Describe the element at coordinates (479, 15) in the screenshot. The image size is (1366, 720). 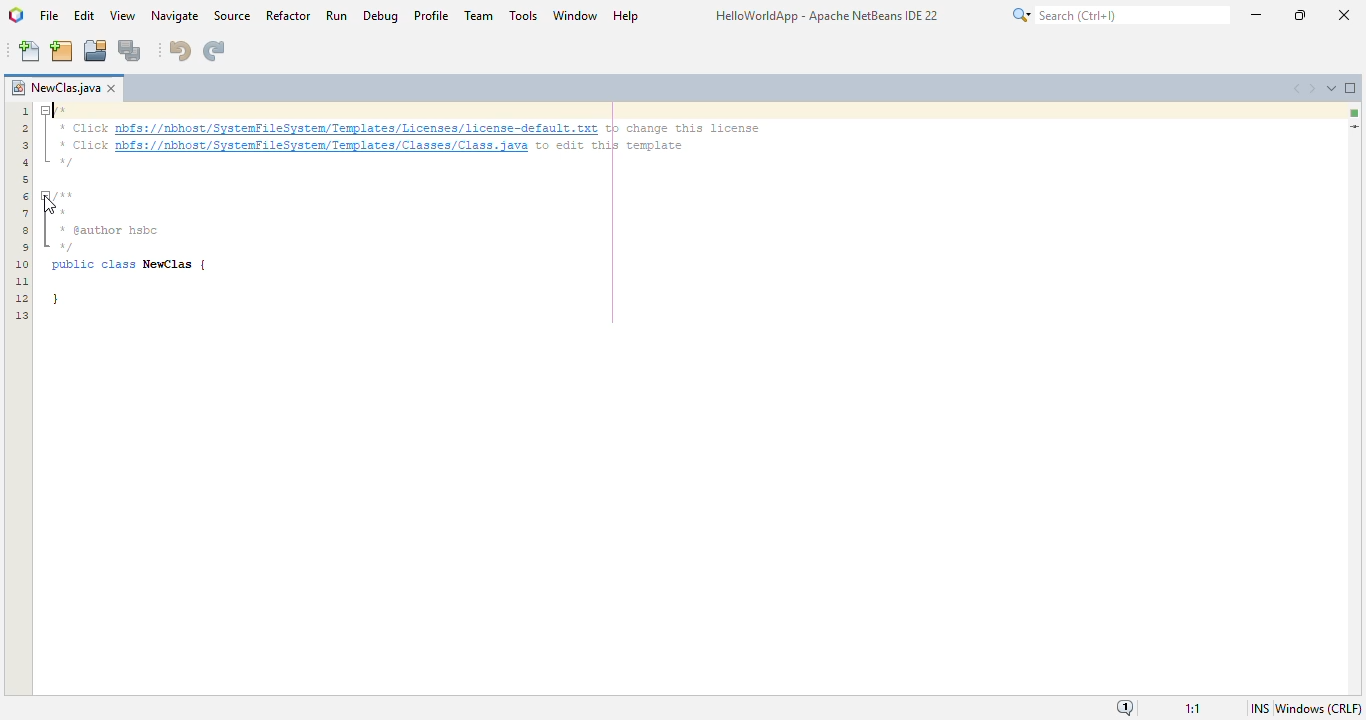
I see `team` at that location.